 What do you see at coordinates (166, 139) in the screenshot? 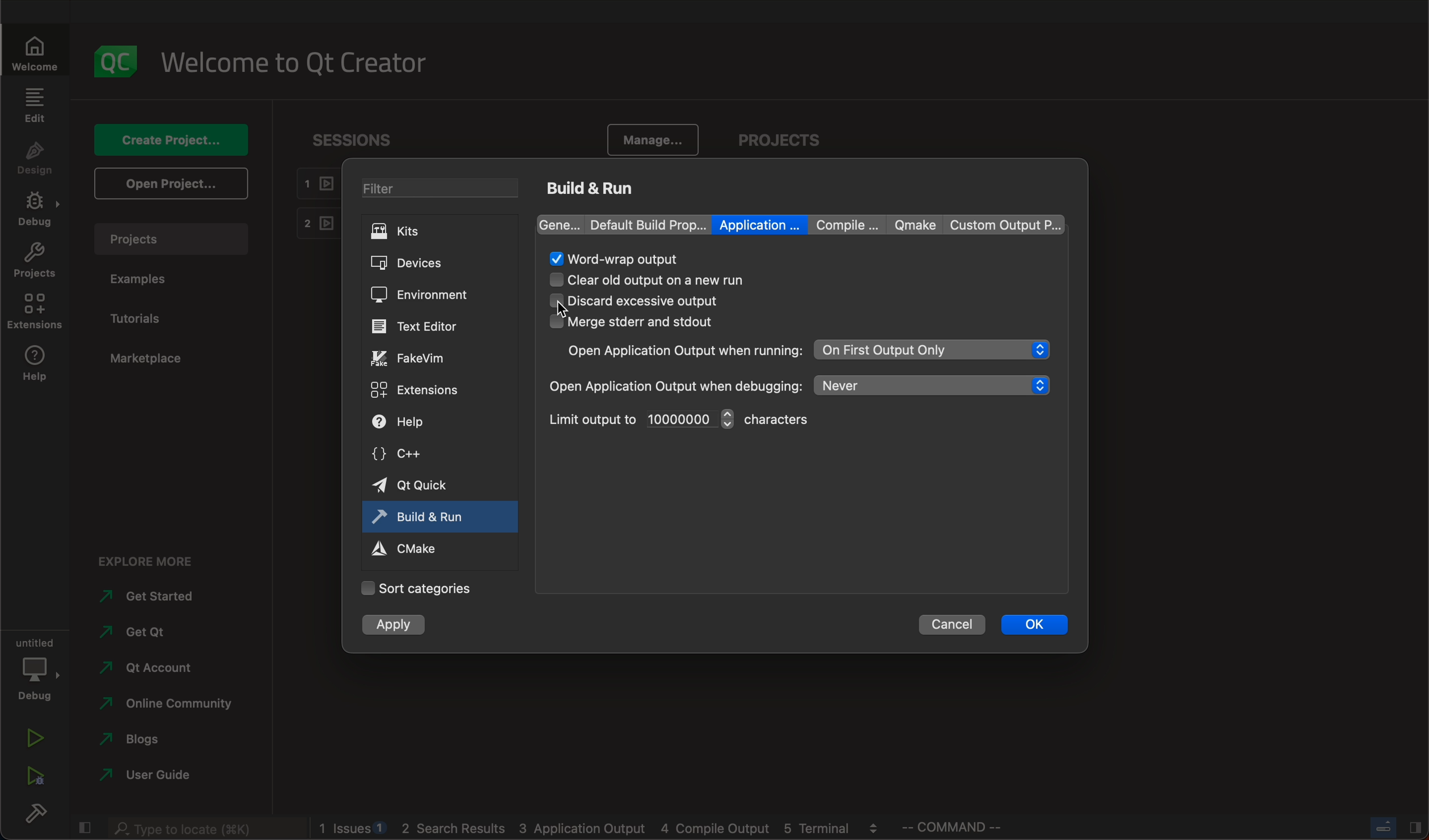
I see `create` at bounding box center [166, 139].